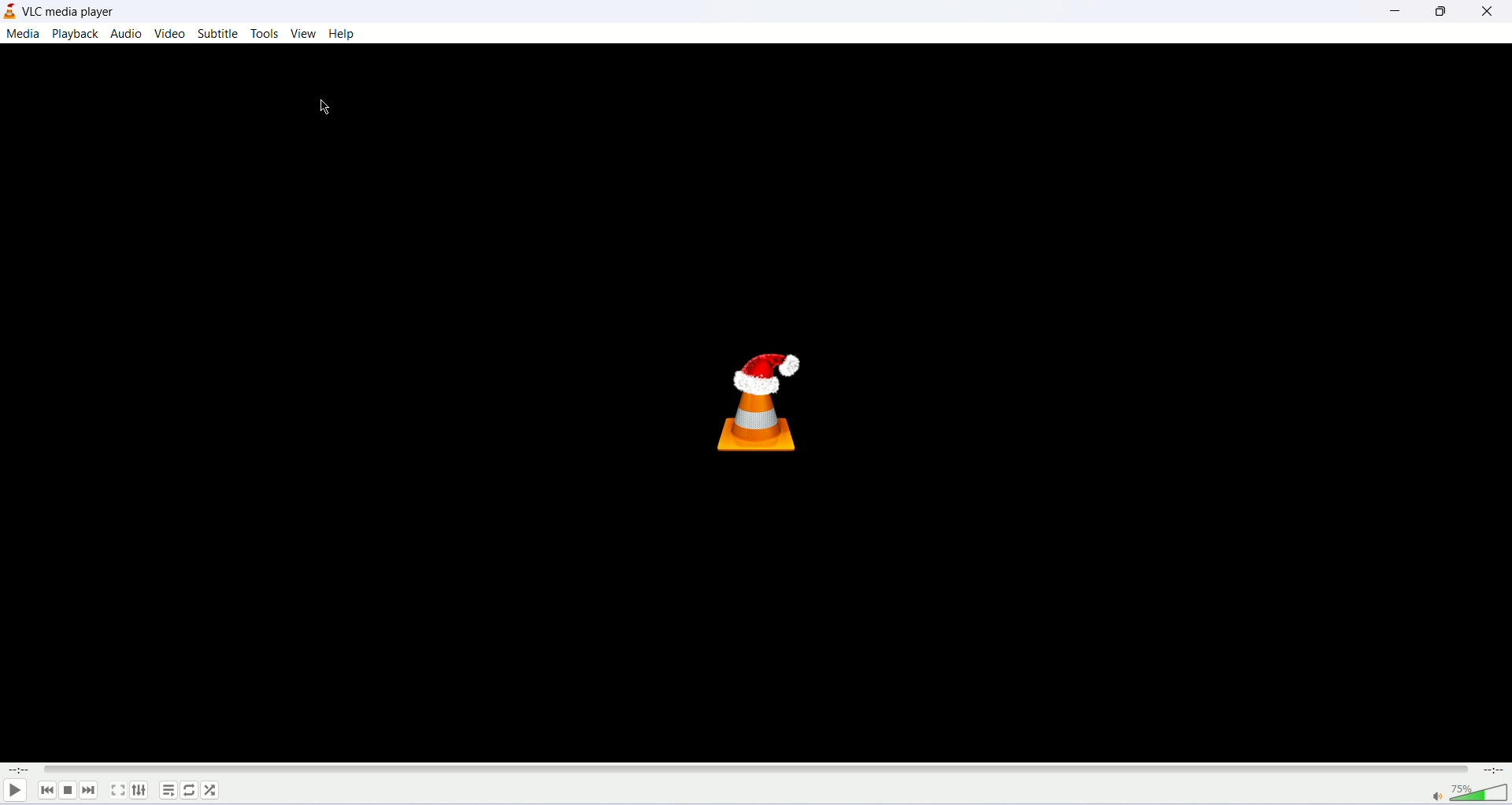 This screenshot has height=805, width=1512. Describe the element at coordinates (220, 34) in the screenshot. I see `subtitle` at that location.